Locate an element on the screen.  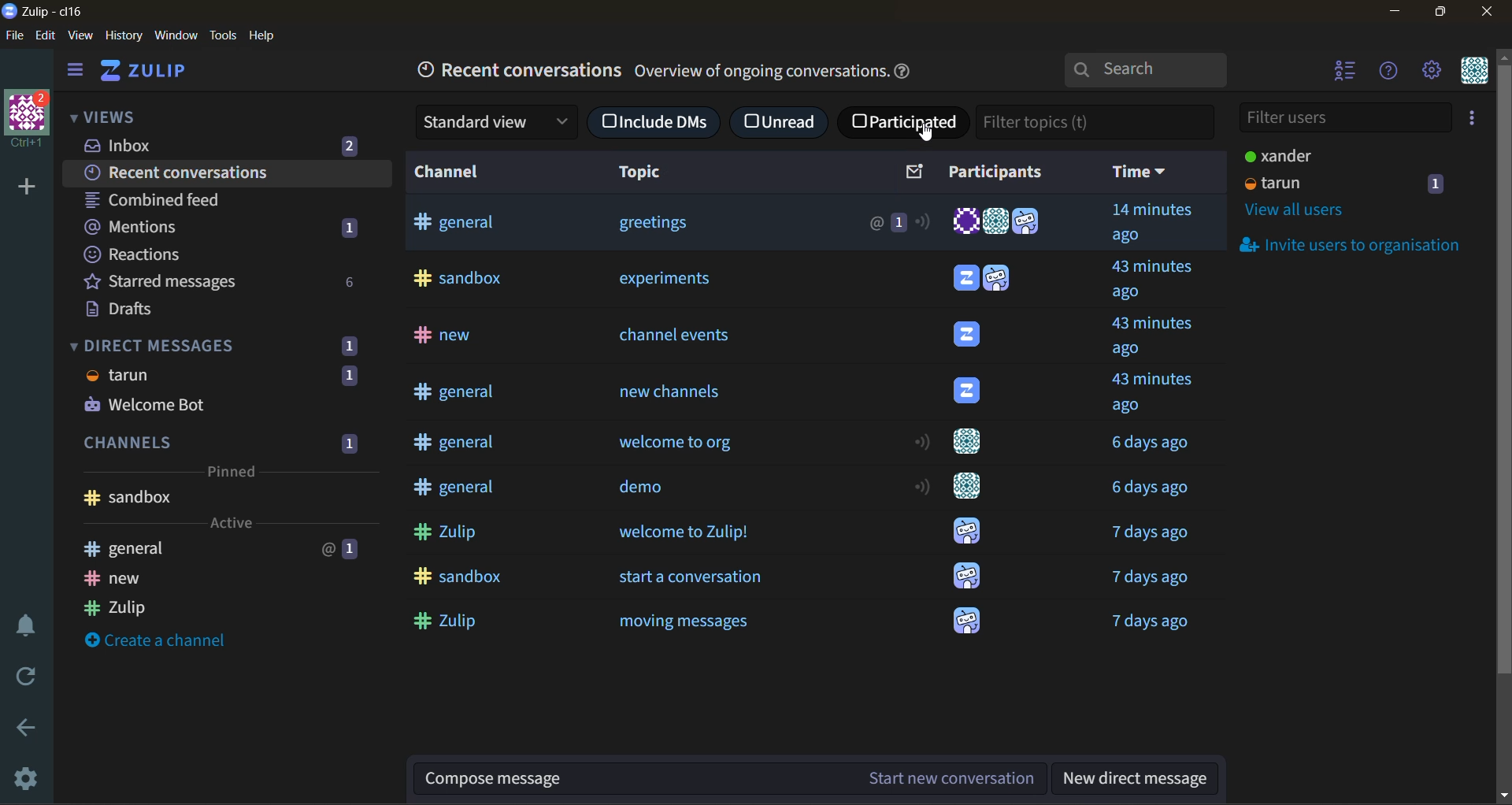
close is located at coordinates (1488, 13).